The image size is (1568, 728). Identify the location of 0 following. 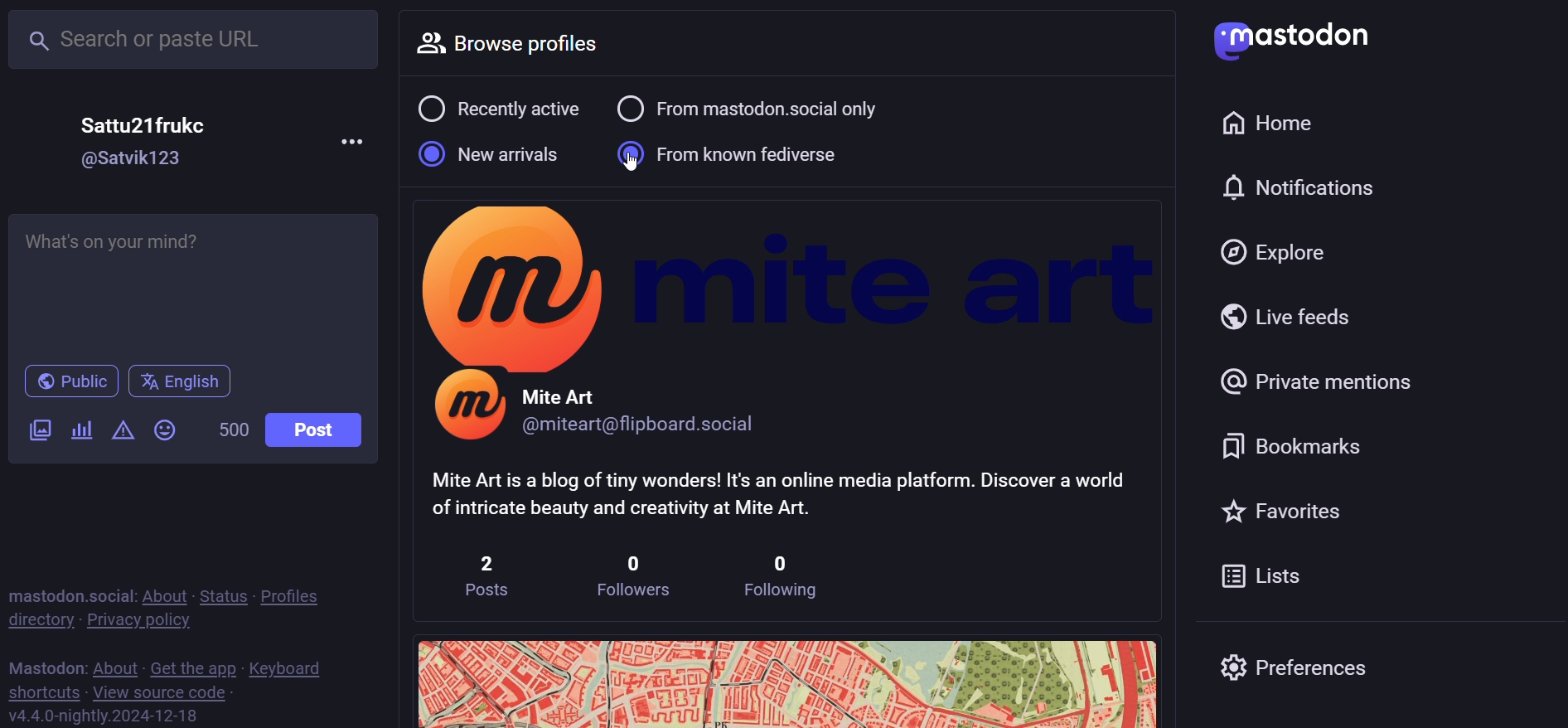
(782, 574).